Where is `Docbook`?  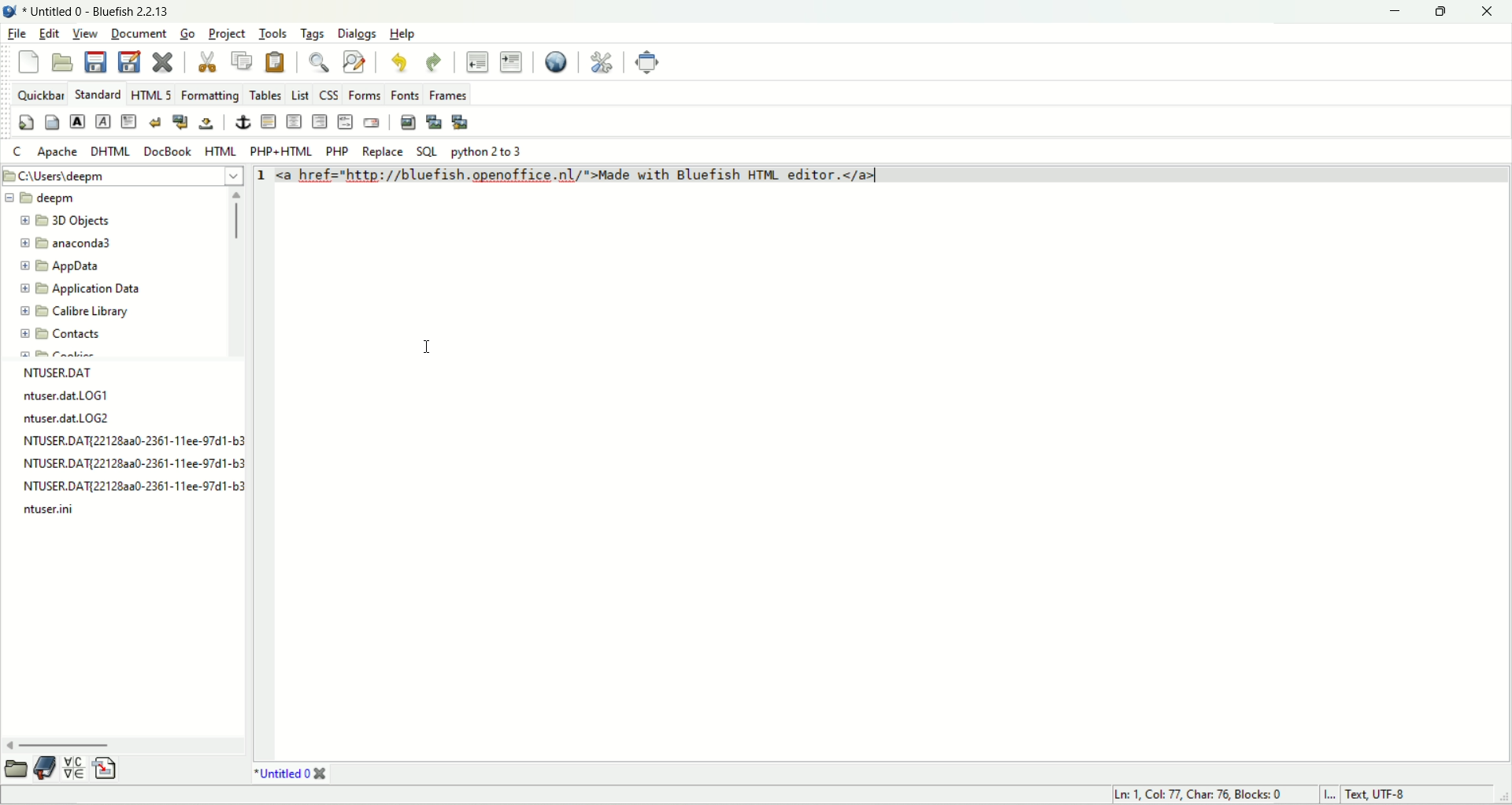 Docbook is located at coordinates (169, 152).